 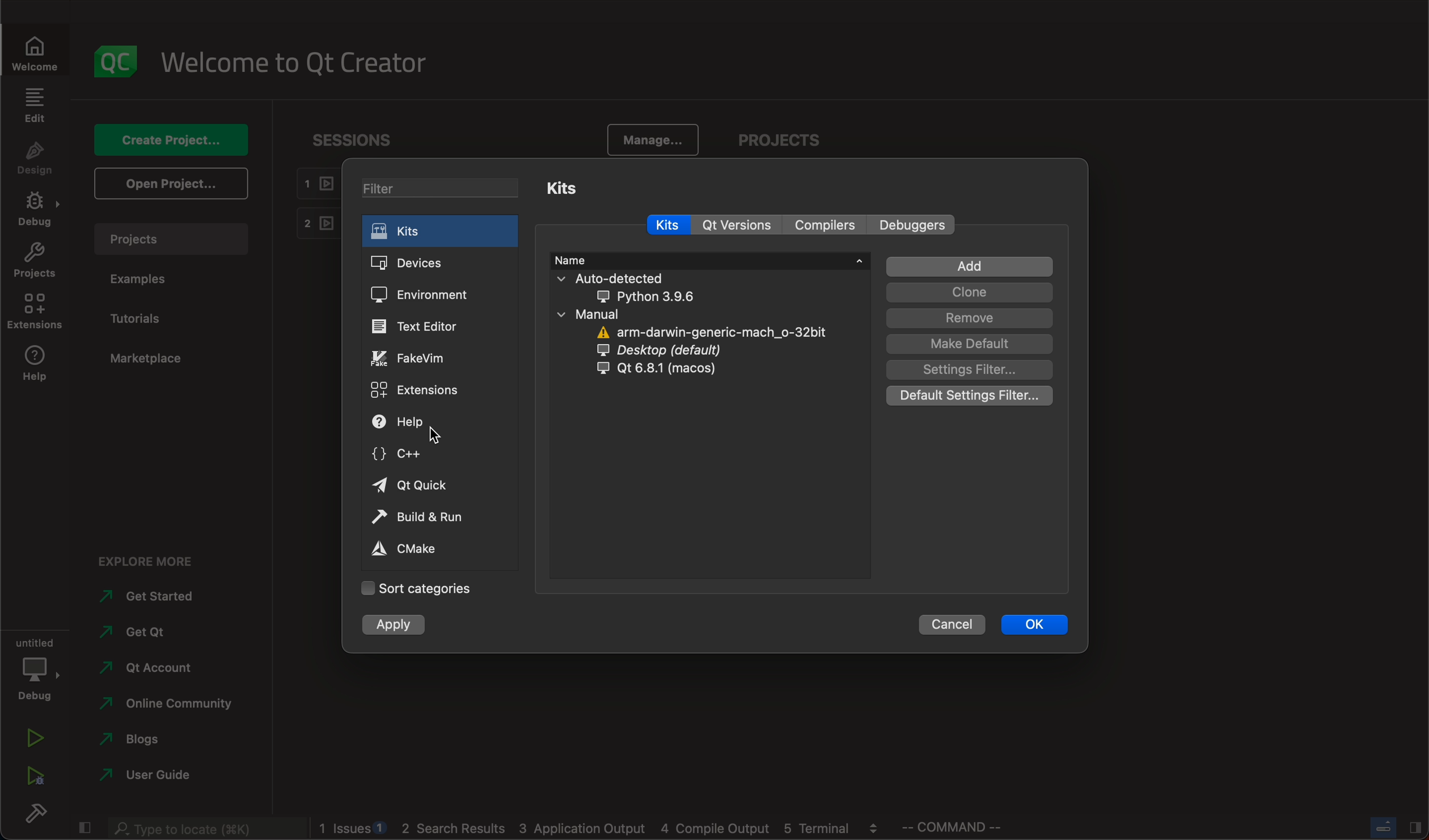 What do you see at coordinates (34, 259) in the screenshot?
I see `projects` at bounding box center [34, 259].